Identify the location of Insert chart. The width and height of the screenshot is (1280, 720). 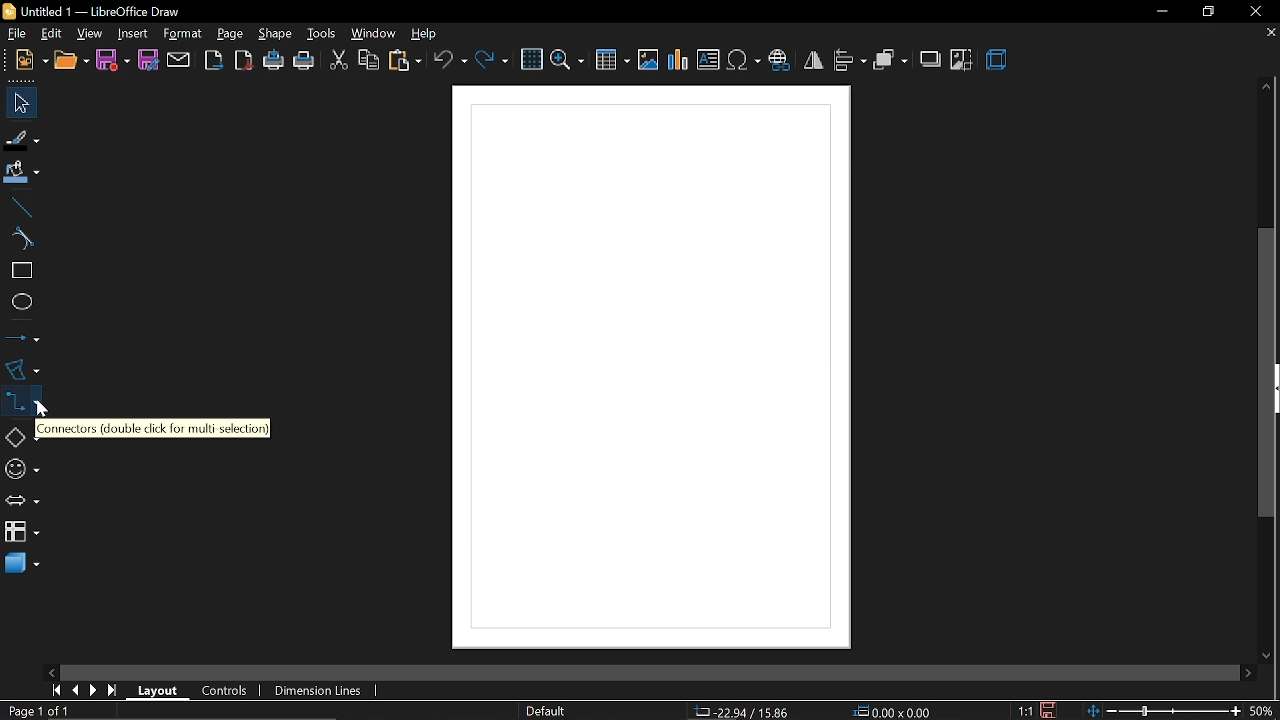
(679, 60).